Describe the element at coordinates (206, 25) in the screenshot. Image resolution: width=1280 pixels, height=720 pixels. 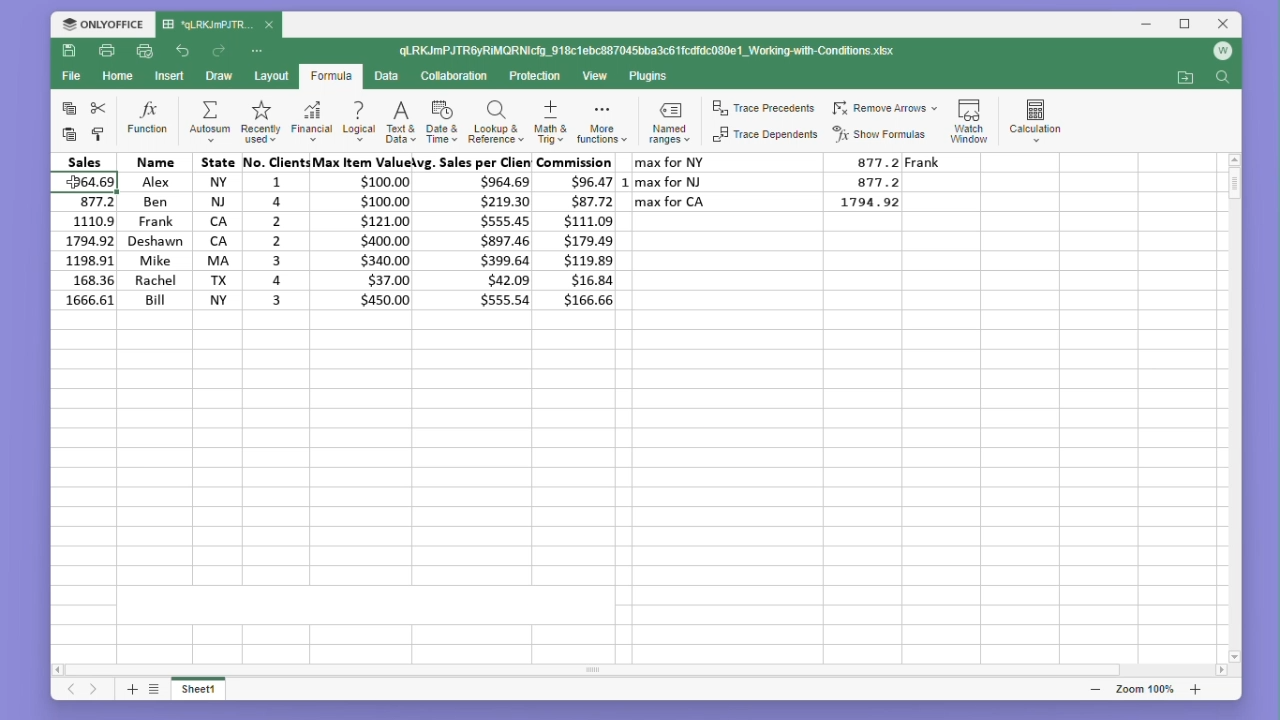
I see `'qLRKJmJTR...` at that location.